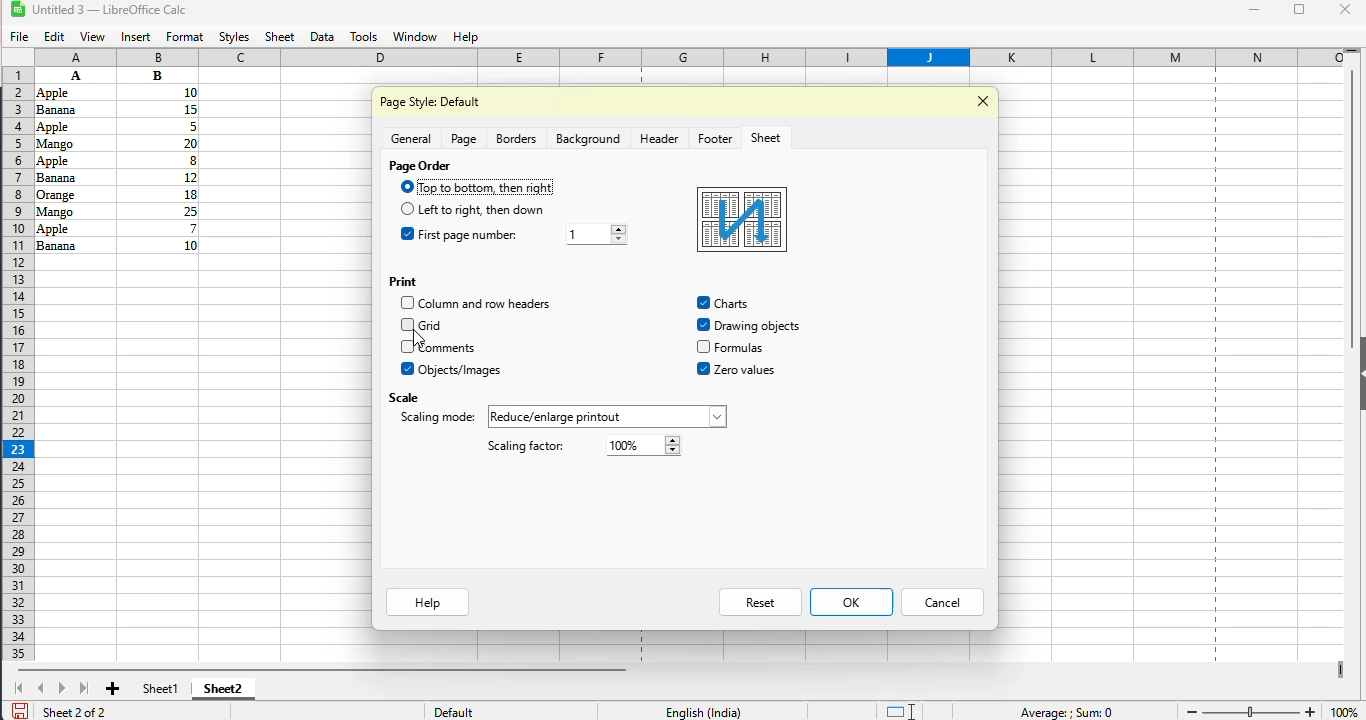 Image resolution: width=1366 pixels, height=720 pixels. What do you see at coordinates (1346, 9) in the screenshot?
I see `close` at bounding box center [1346, 9].